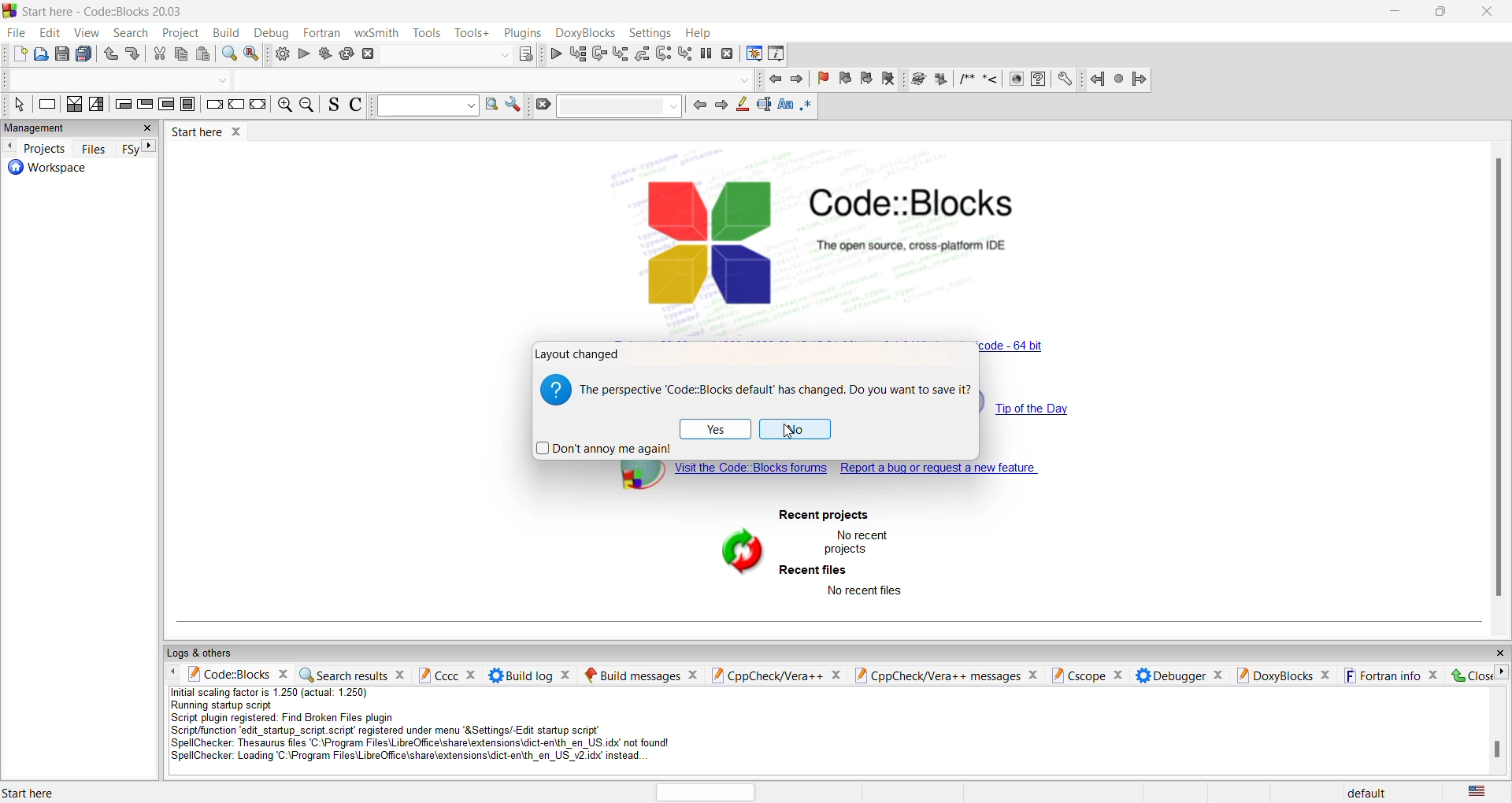 This screenshot has width=1512, height=803. Describe the element at coordinates (555, 389) in the screenshot. I see `question mark icon` at that location.